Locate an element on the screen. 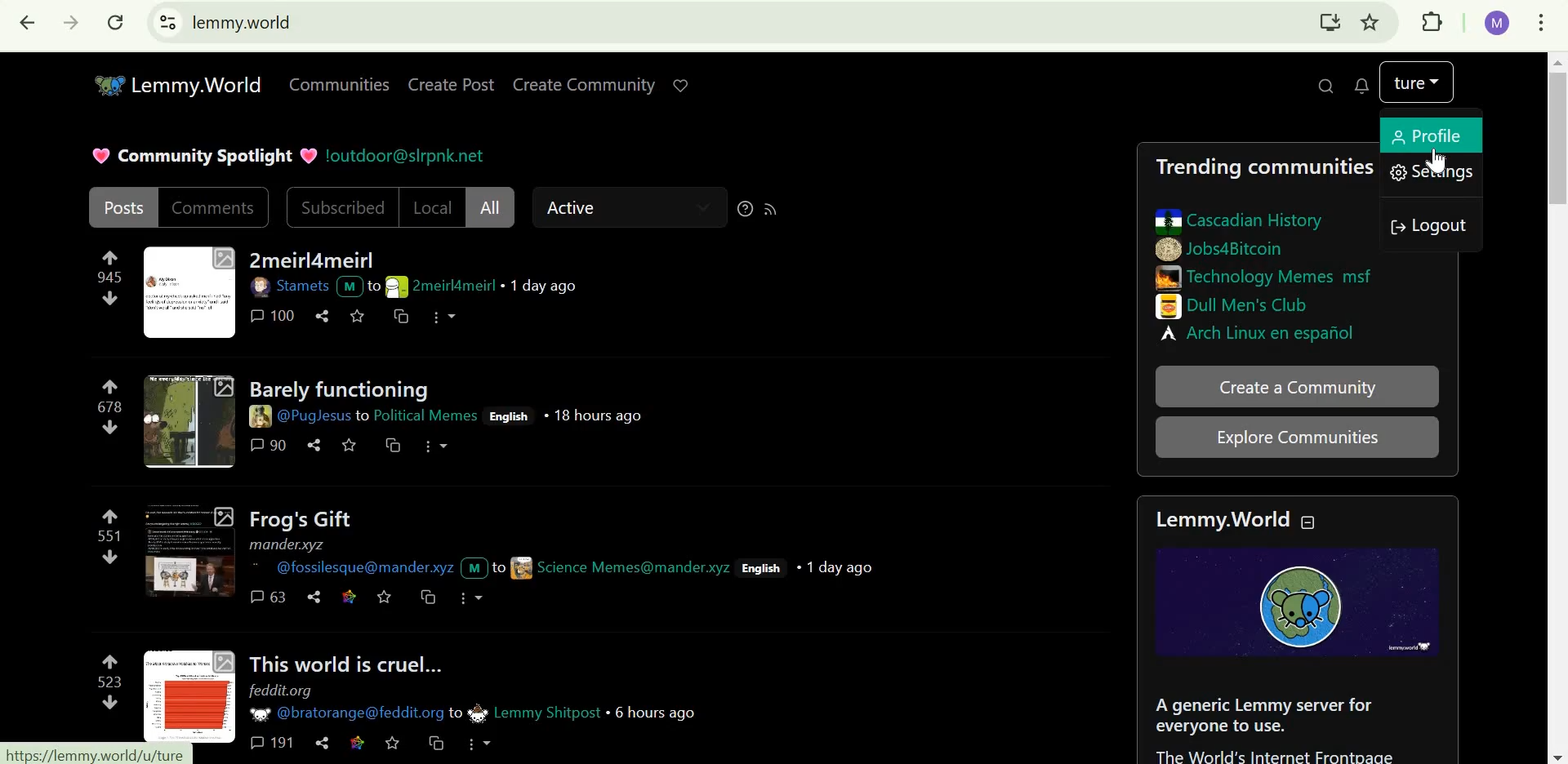  url is located at coordinates (96, 754).